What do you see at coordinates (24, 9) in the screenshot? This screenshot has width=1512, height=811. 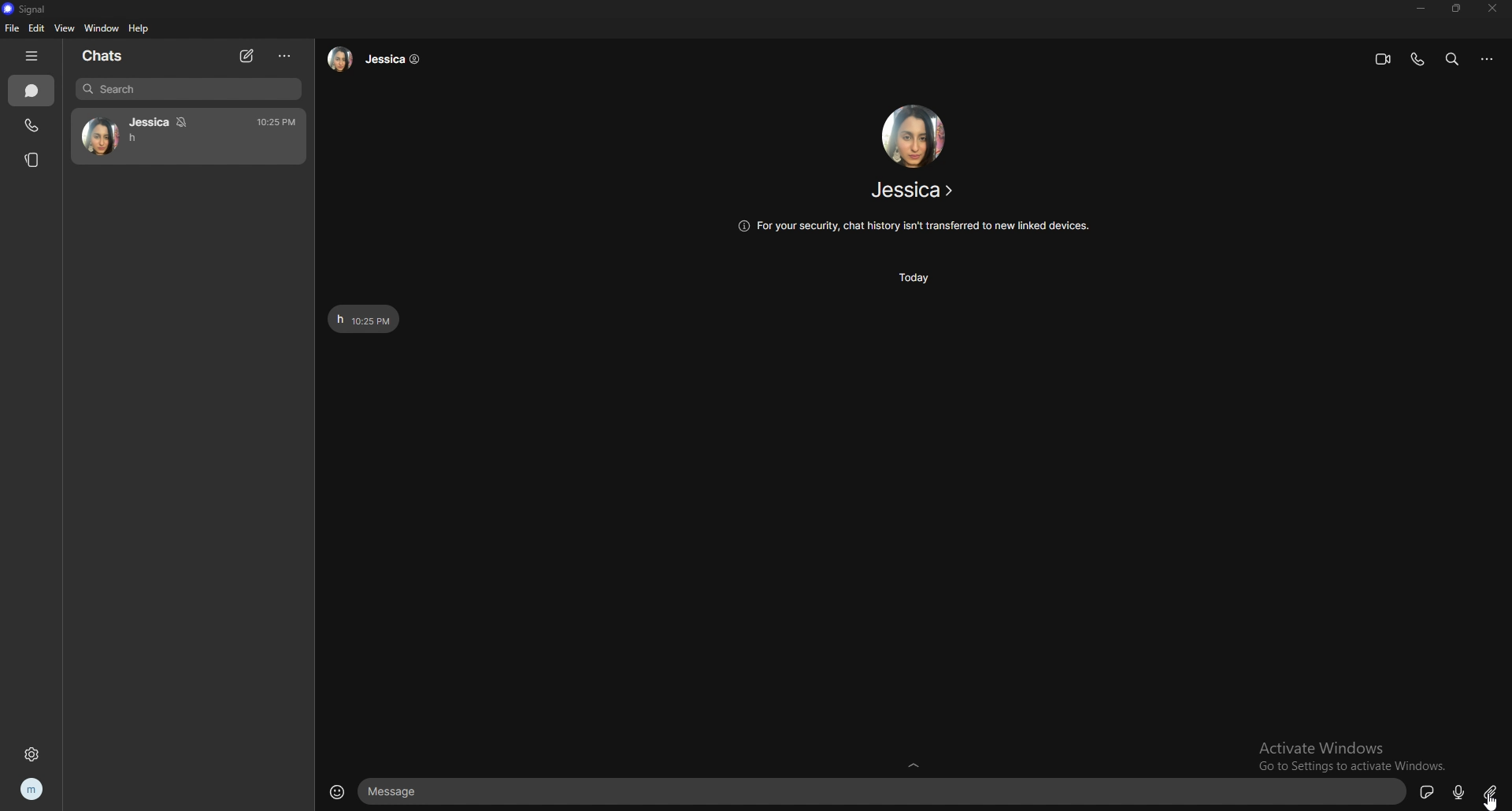 I see `signal` at bounding box center [24, 9].